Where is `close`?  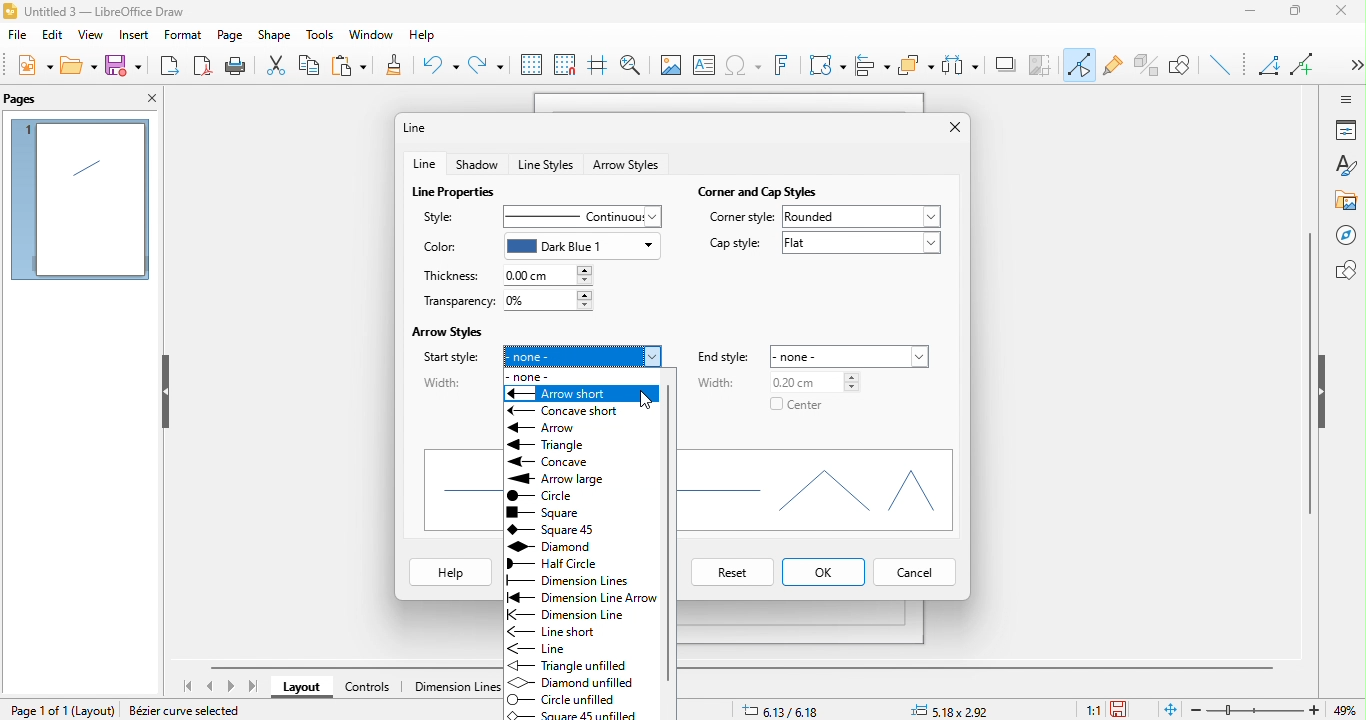
close is located at coordinates (947, 128).